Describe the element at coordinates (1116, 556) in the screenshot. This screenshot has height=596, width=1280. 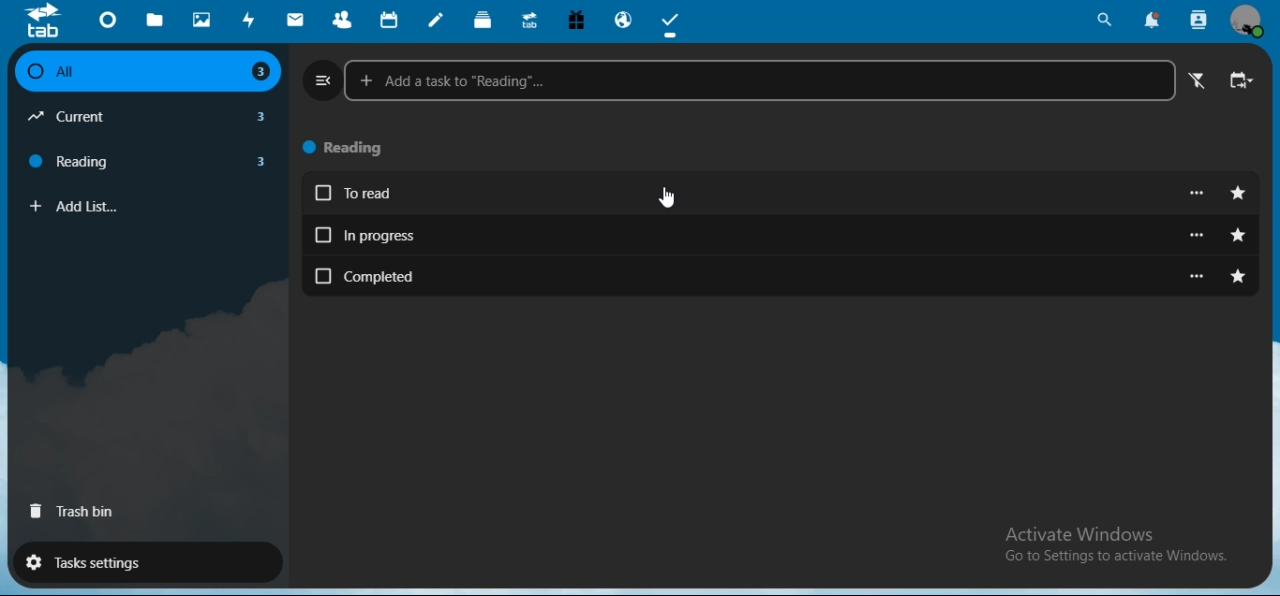
I see `Go to Settings to activate Windows.` at that location.